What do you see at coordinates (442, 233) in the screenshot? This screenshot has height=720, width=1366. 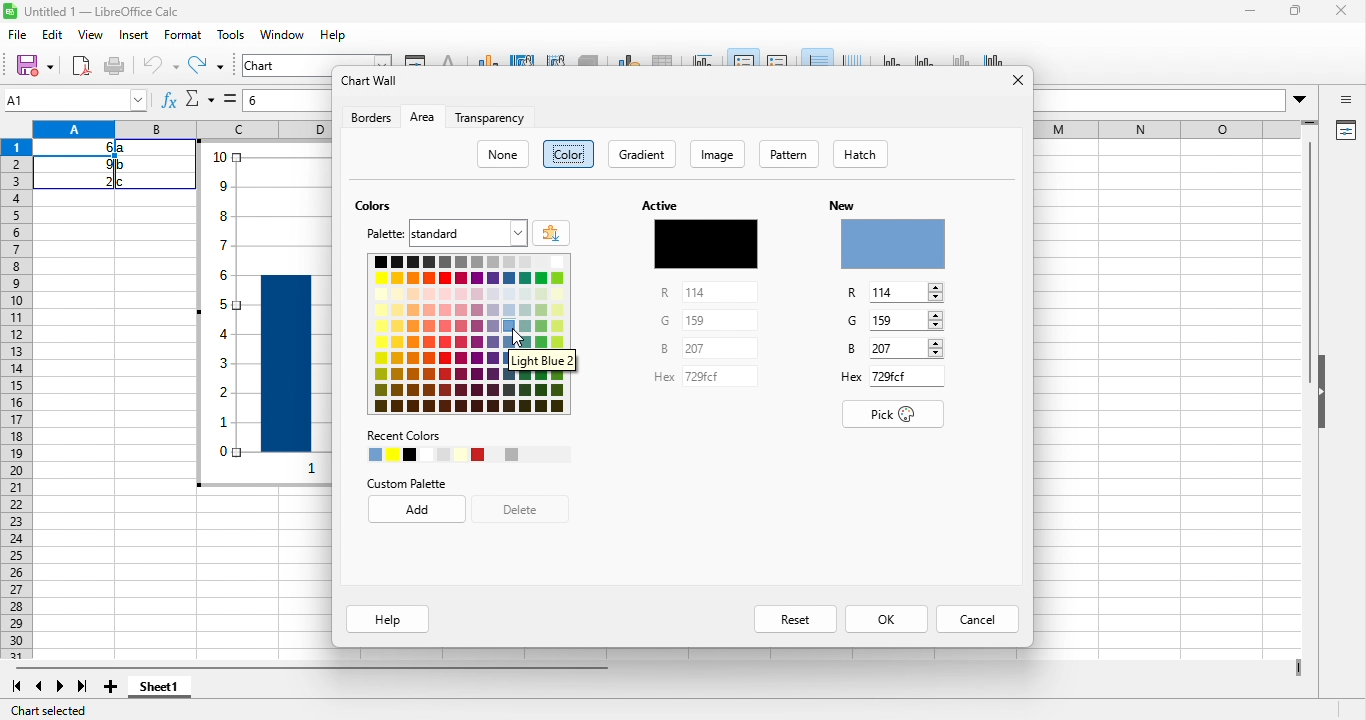 I see `palette` at bounding box center [442, 233].